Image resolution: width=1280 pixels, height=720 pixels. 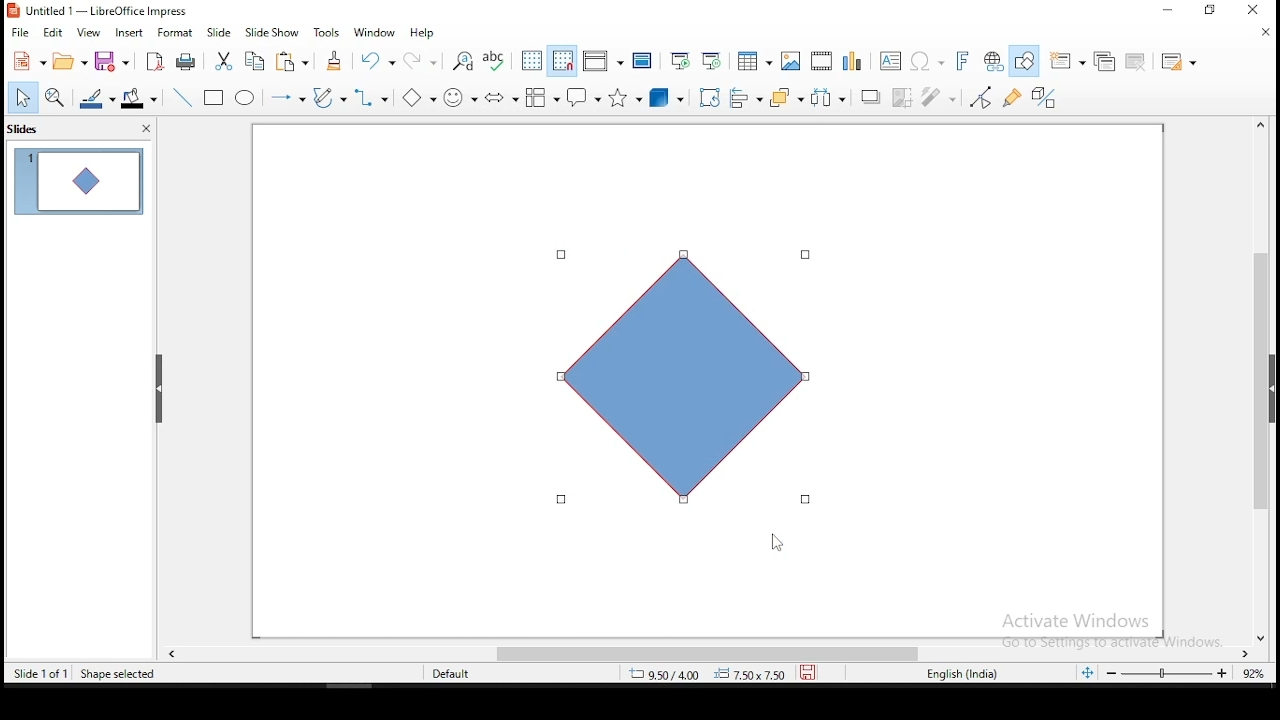 I want to click on line color, so click(x=95, y=99).